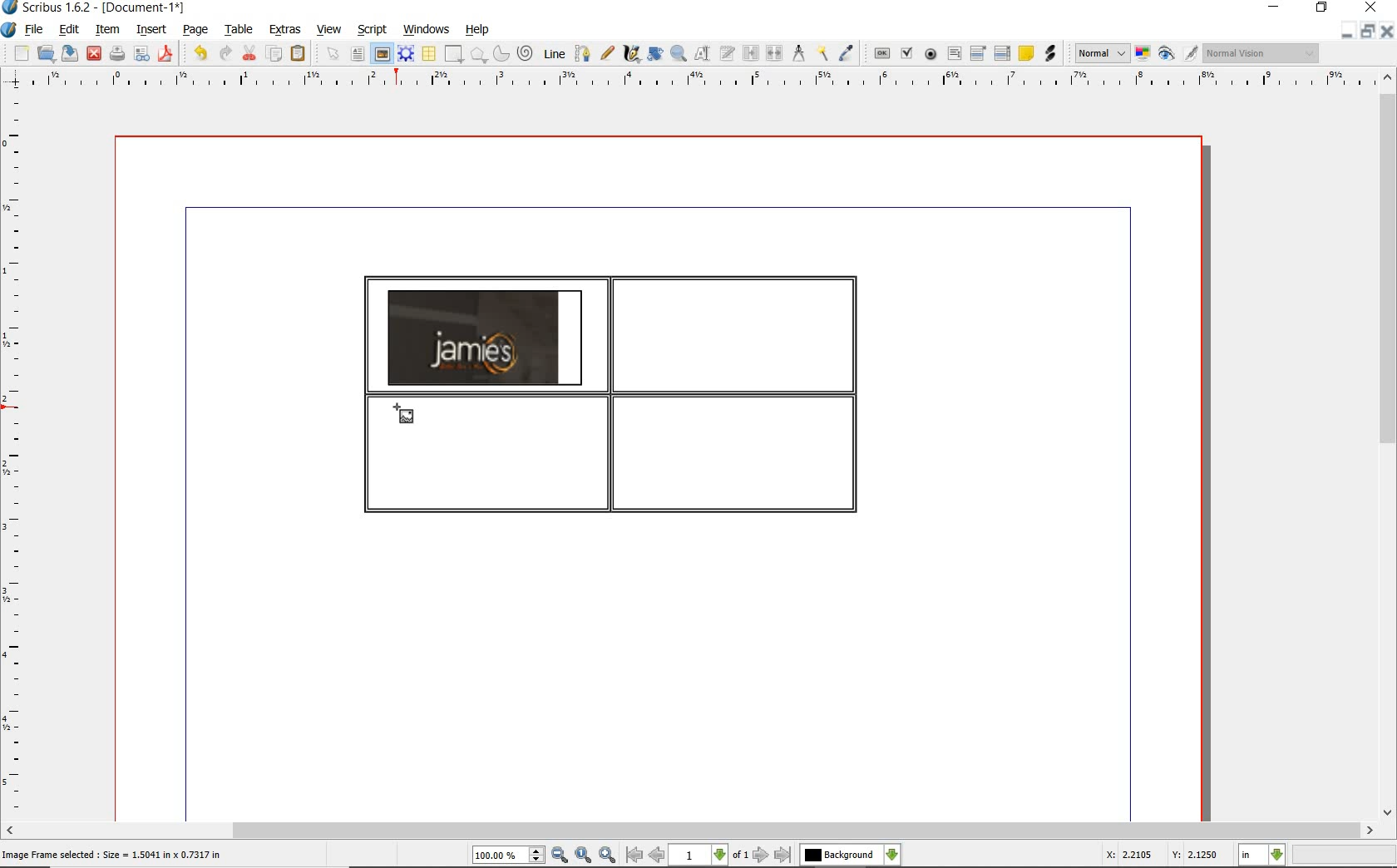 Image resolution: width=1397 pixels, height=868 pixels. What do you see at coordinates (847, 53) in the screenshot?
I see `eye dropper` at bounding box center [847, 53].